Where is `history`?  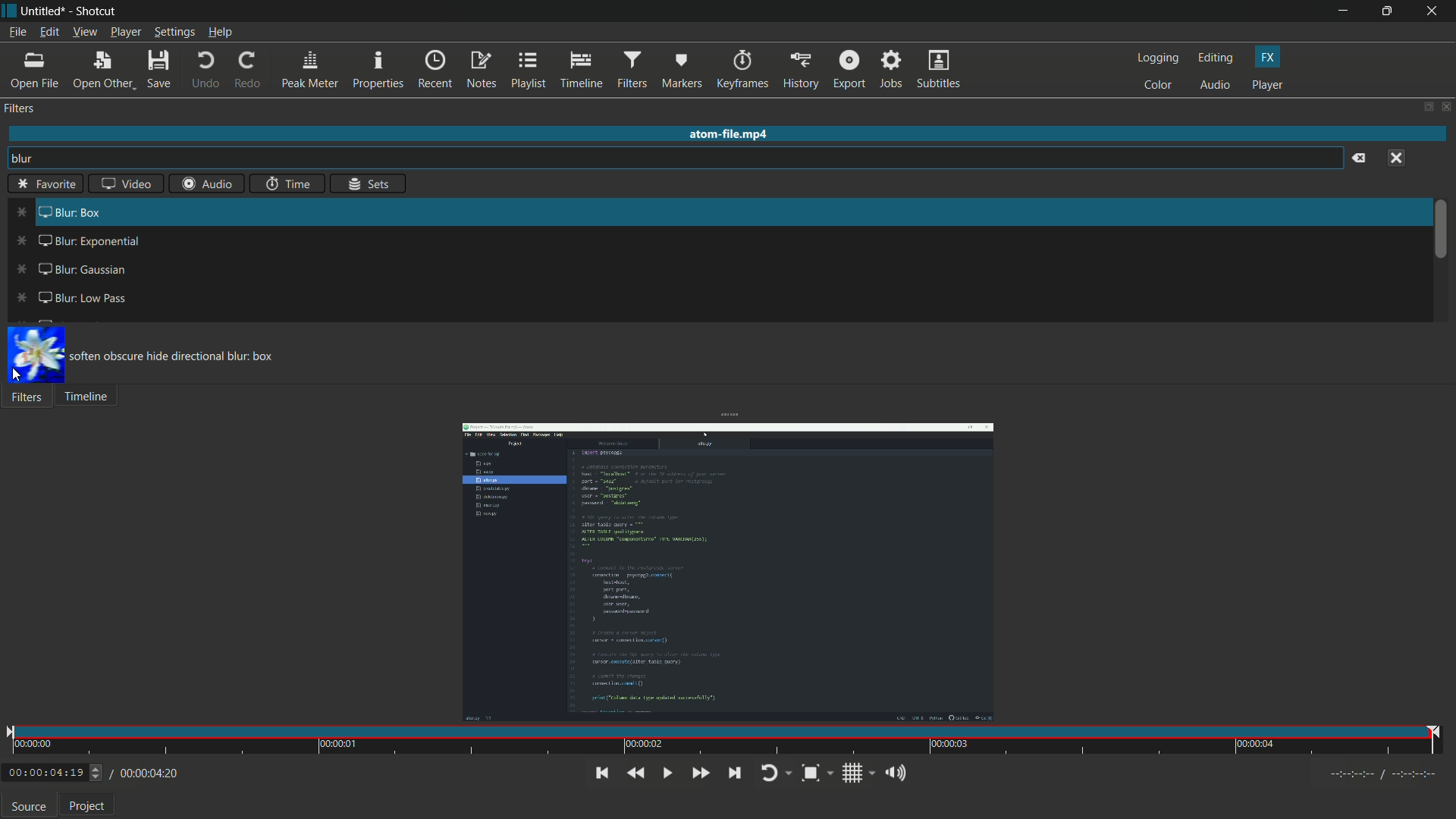
history is located at coordinates (800, 71).